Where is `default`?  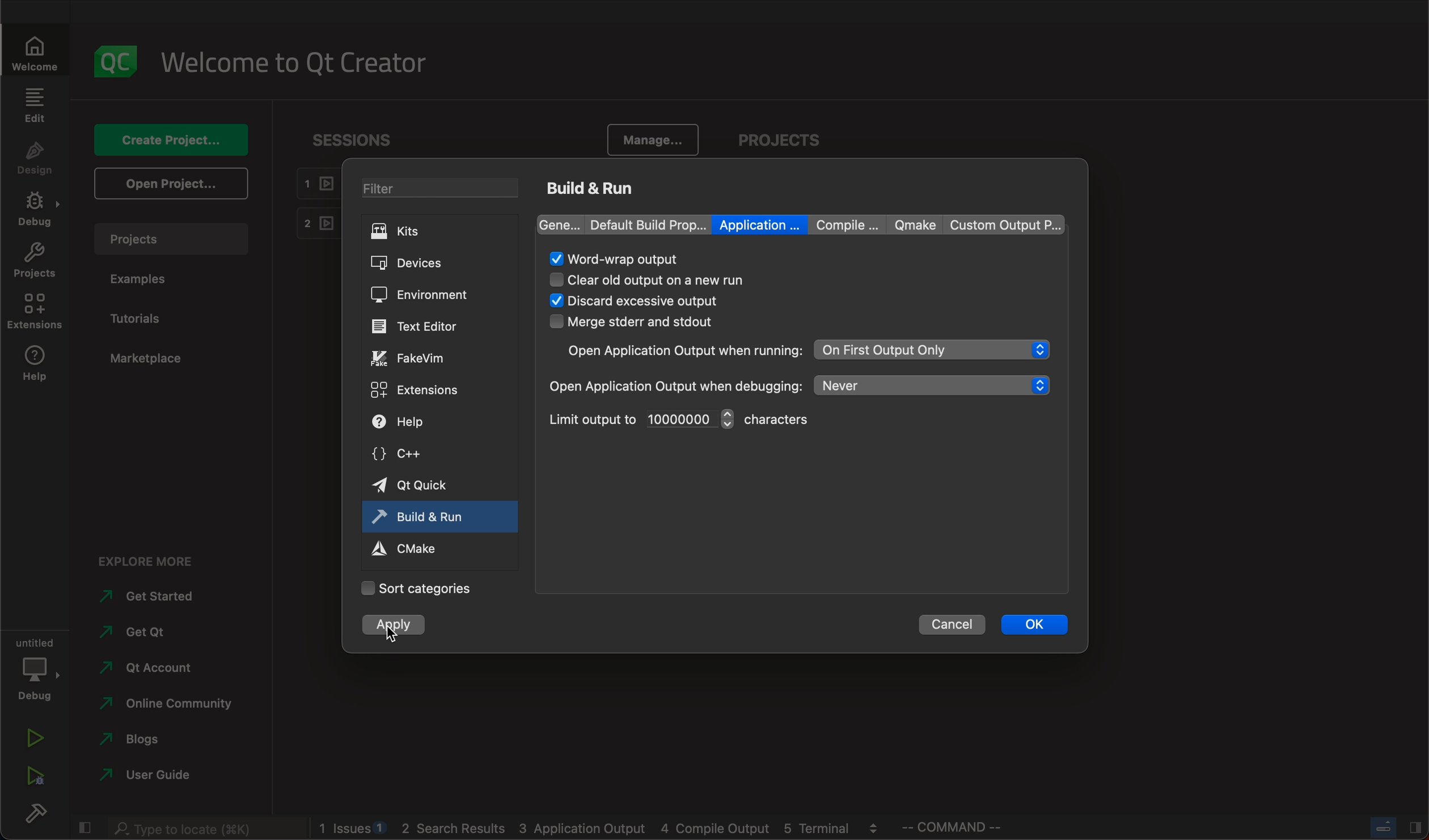
default is located at coordinates (649, 223).